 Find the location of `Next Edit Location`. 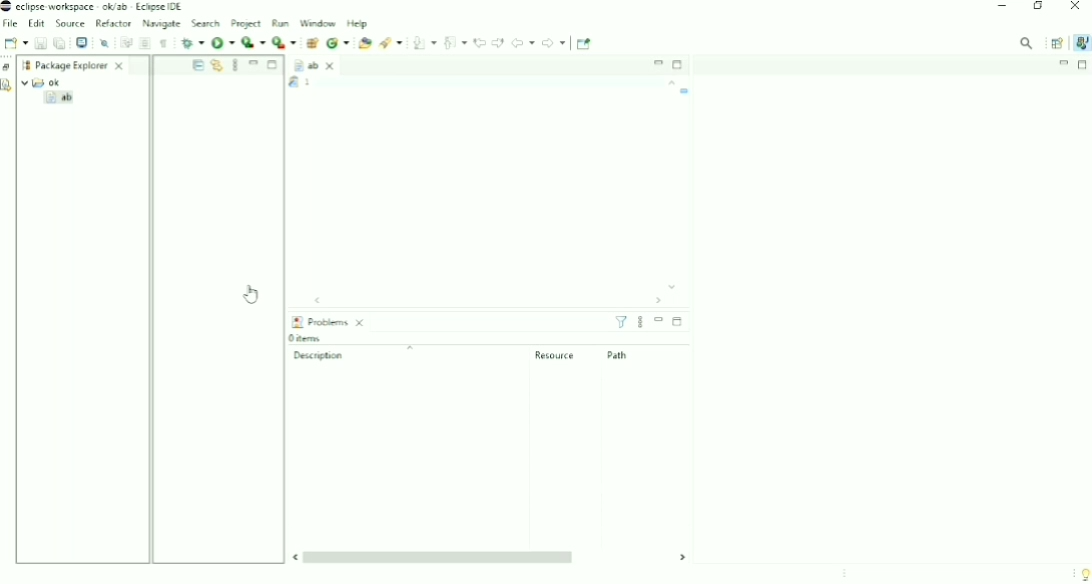

Next Edit Location is located at coordinates (498, 42).